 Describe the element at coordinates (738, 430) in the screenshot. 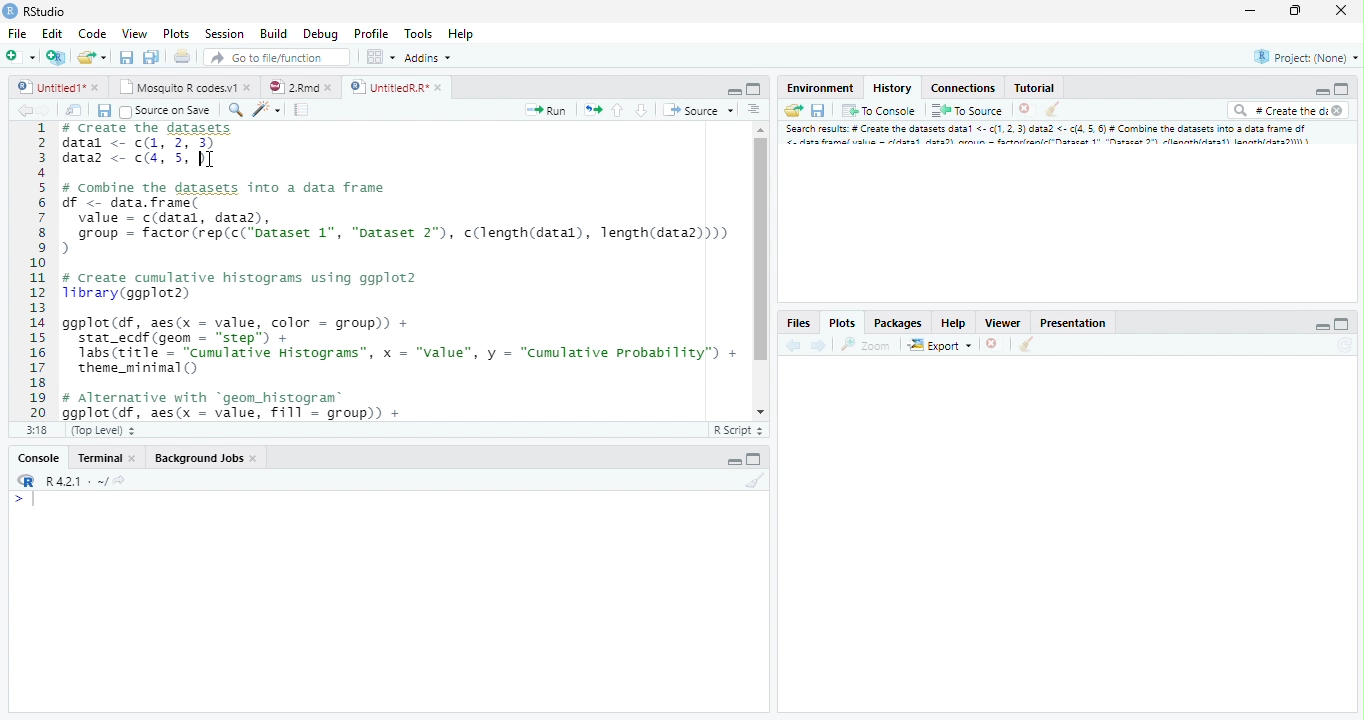

I see `R Script` at that location.